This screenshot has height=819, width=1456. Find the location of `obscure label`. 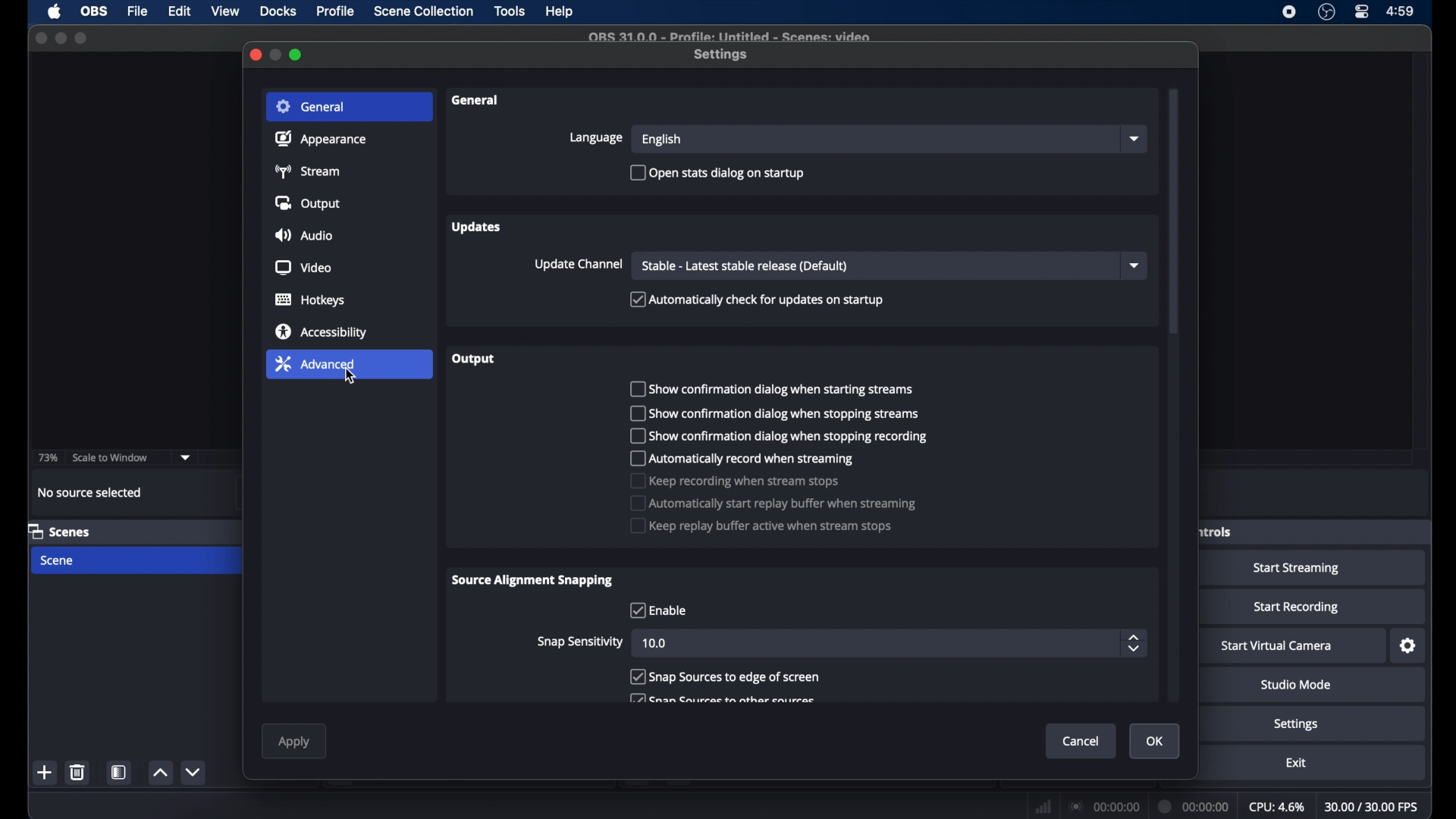

obscure label is located at coordinates (1216, 532).